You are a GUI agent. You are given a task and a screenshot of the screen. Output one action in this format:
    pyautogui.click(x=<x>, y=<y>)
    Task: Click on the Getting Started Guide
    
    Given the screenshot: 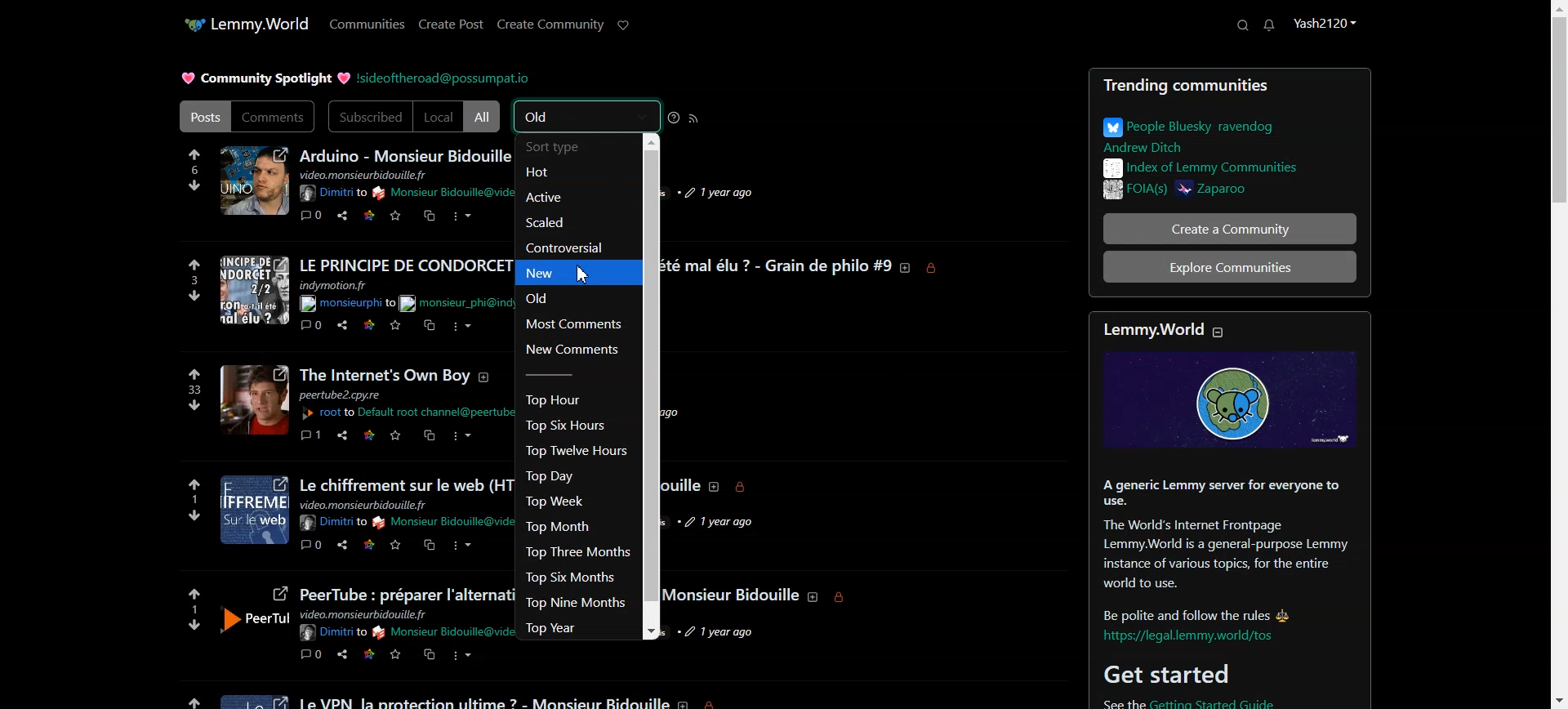 What is the action you would take?
    pyautogui.click(x=1243, y=702)
    